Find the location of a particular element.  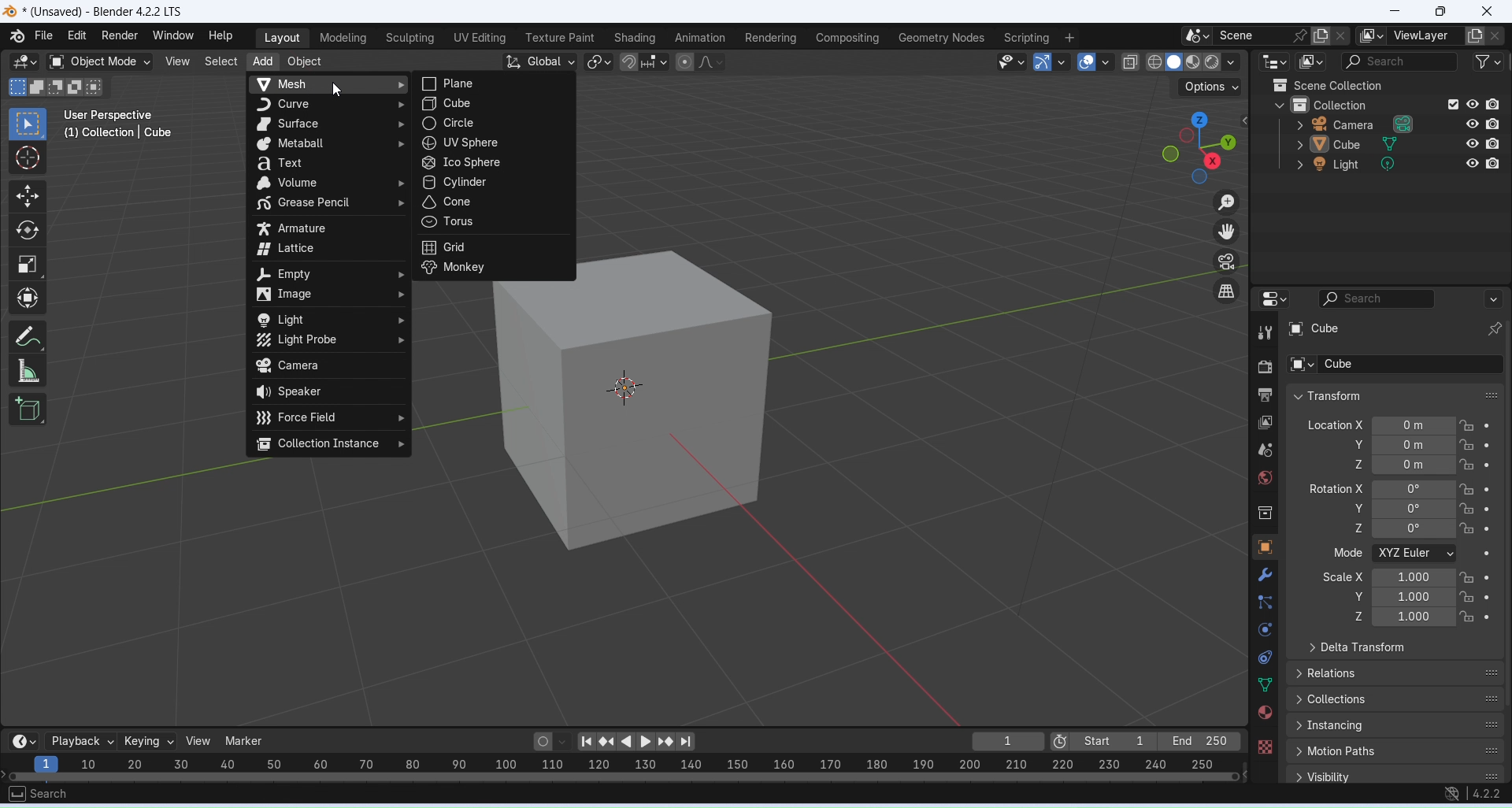

Global is located at coordinates (540, 61).